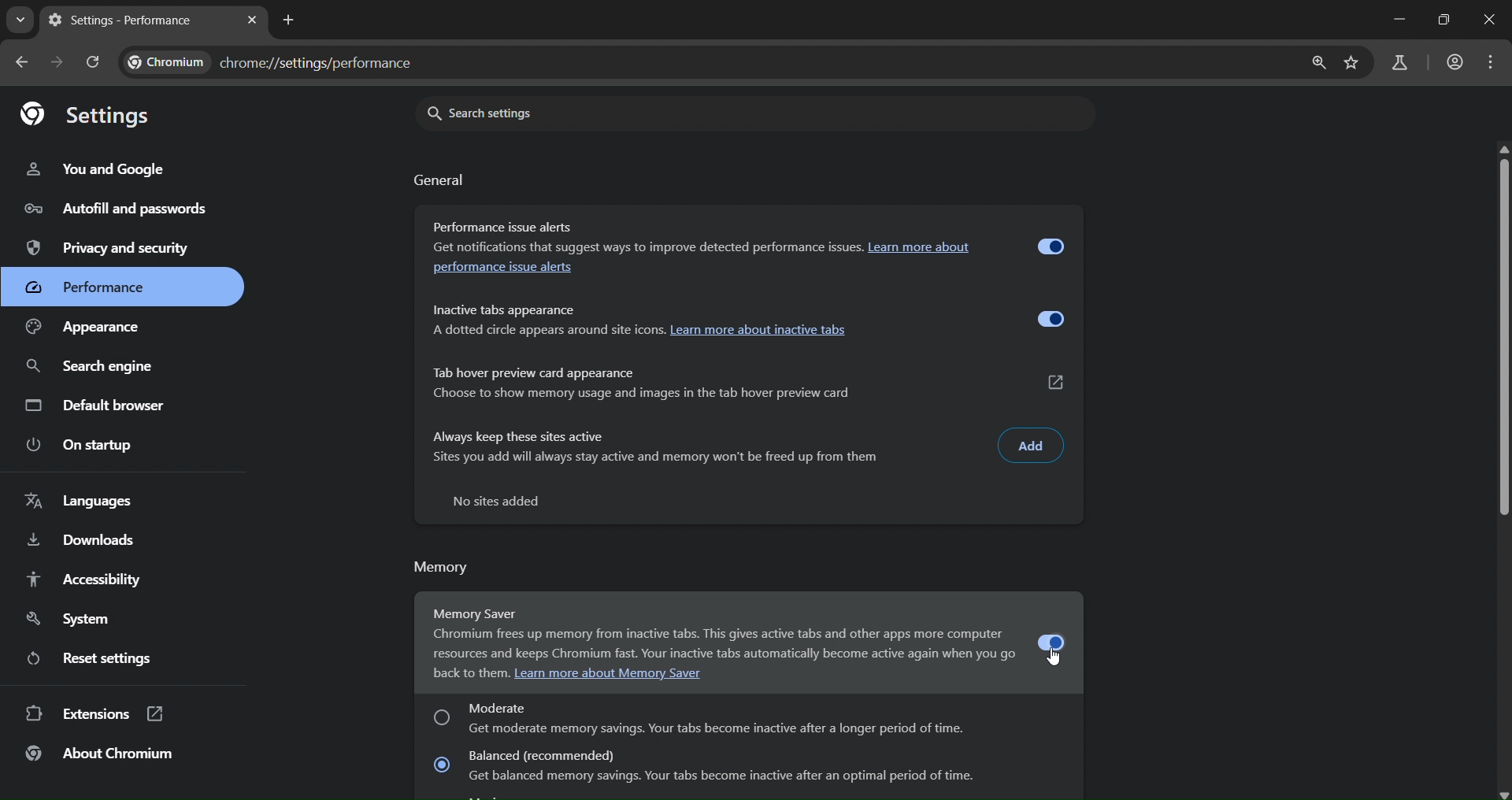  I want to click on cursor, so click(1054, 661).